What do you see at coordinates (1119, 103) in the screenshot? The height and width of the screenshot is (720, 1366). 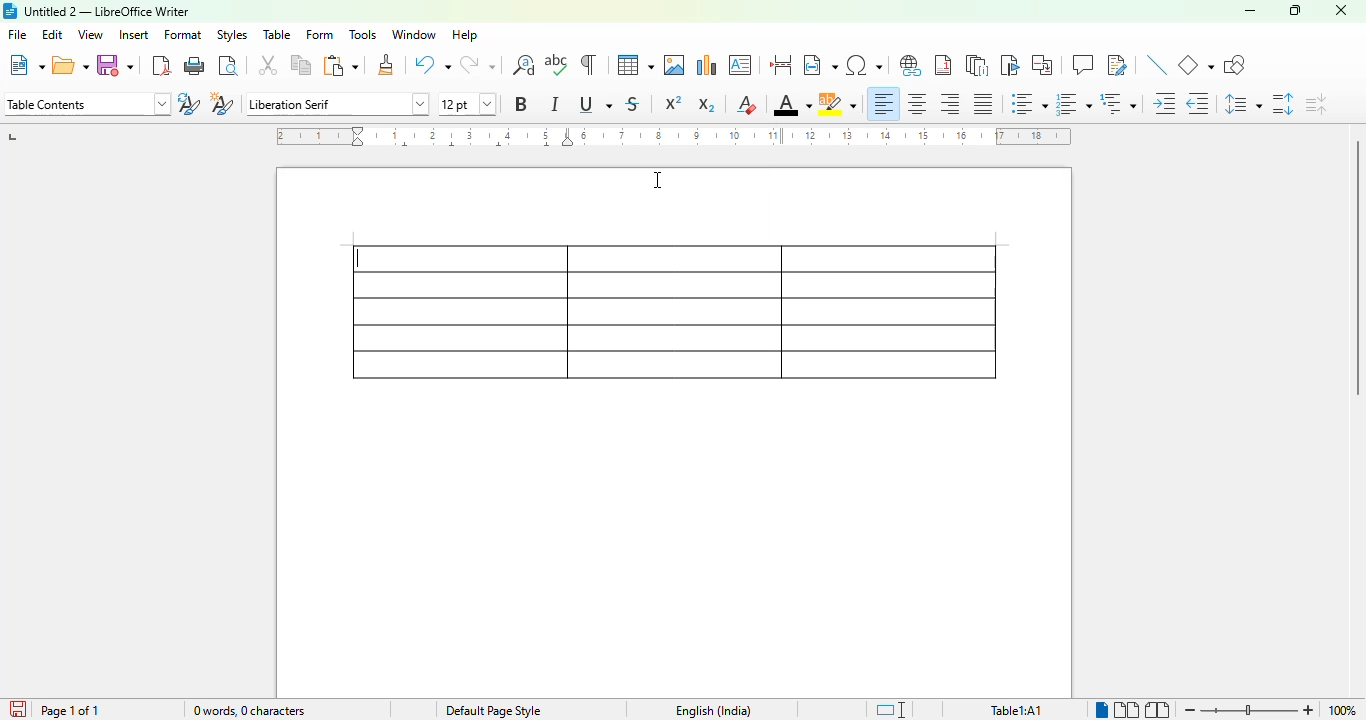 I see `select outline format` at bounding box center [1119, 103].